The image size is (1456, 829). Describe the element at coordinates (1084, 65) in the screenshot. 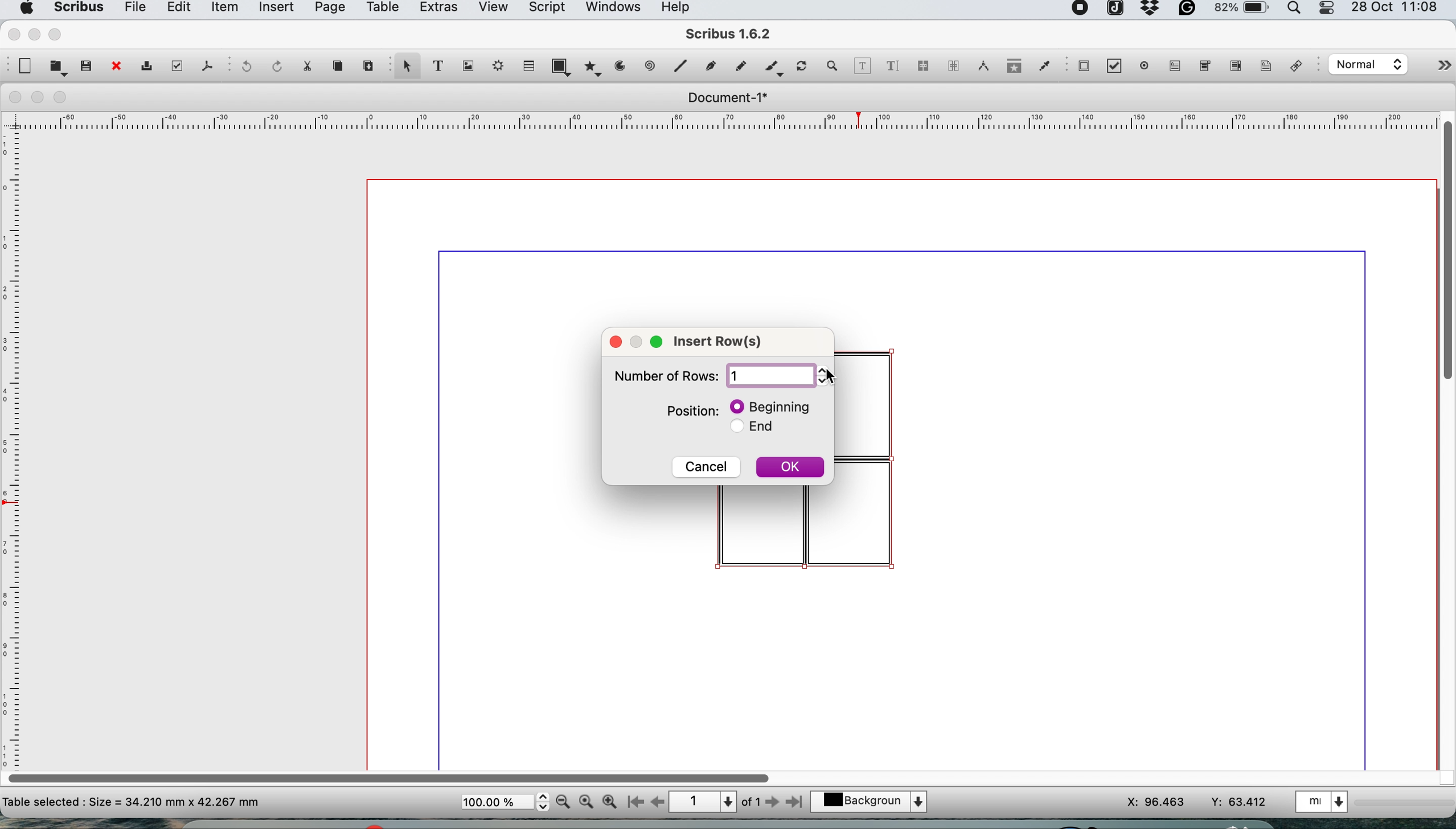

I see `pdf check button` at that location.